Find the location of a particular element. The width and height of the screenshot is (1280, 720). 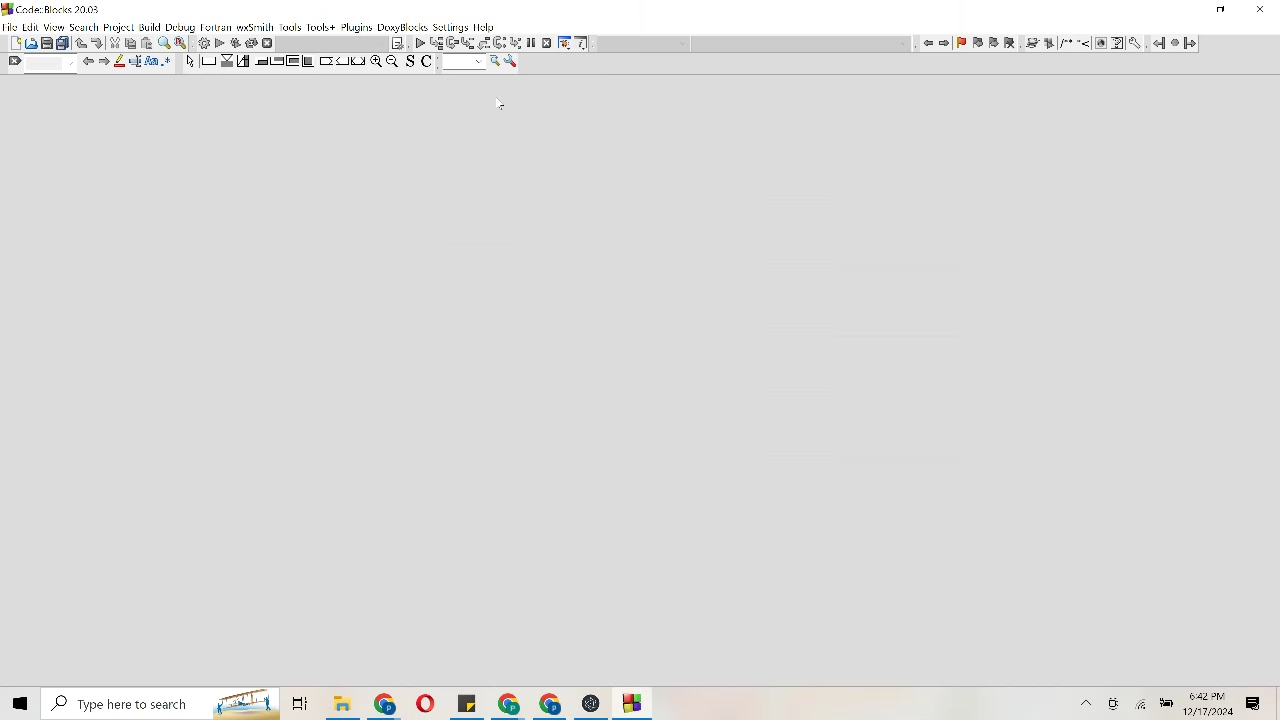

File is located at coordinates (591, 704).